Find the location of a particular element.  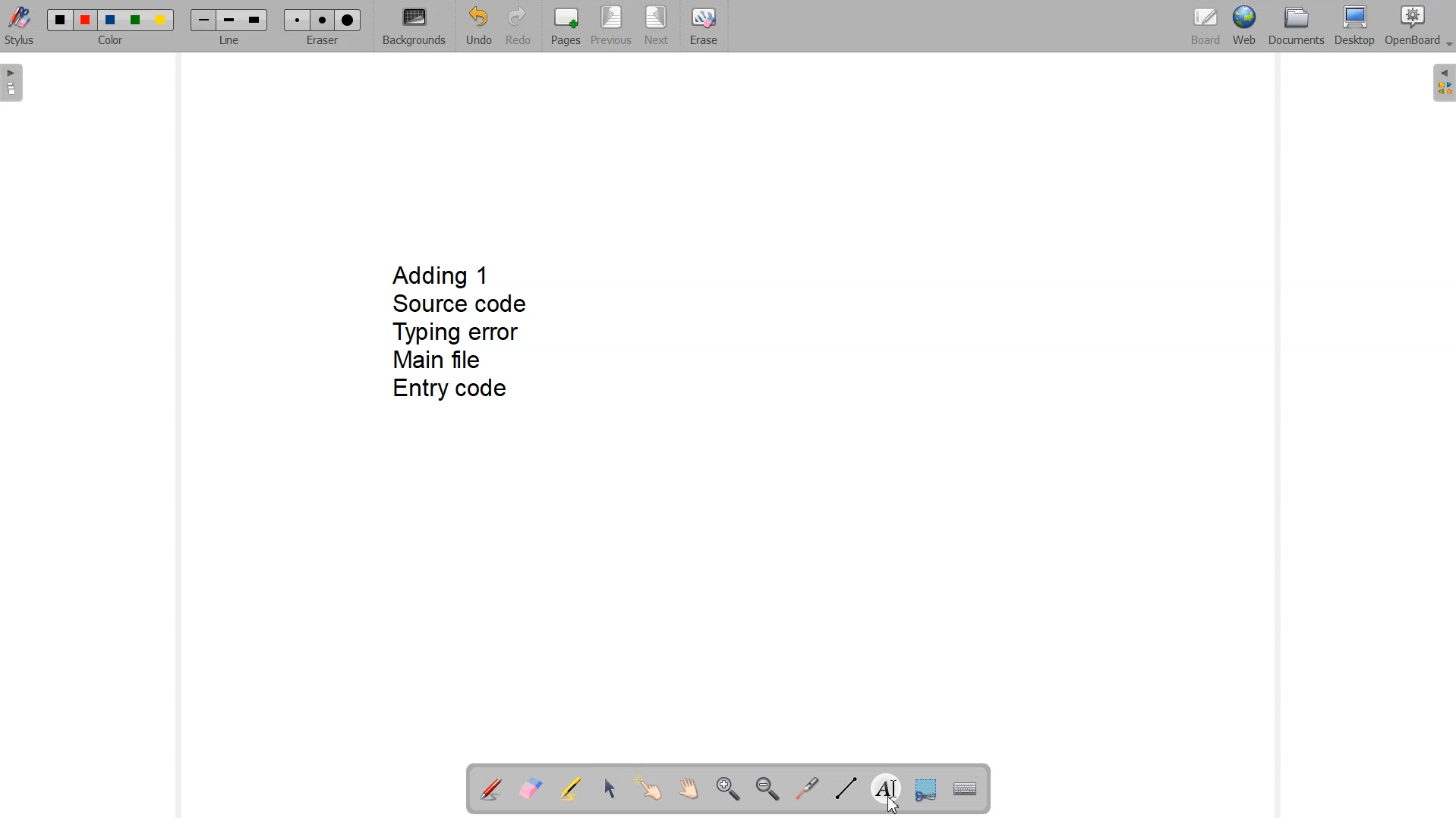

Medium line is located at coordinates (230, 20).